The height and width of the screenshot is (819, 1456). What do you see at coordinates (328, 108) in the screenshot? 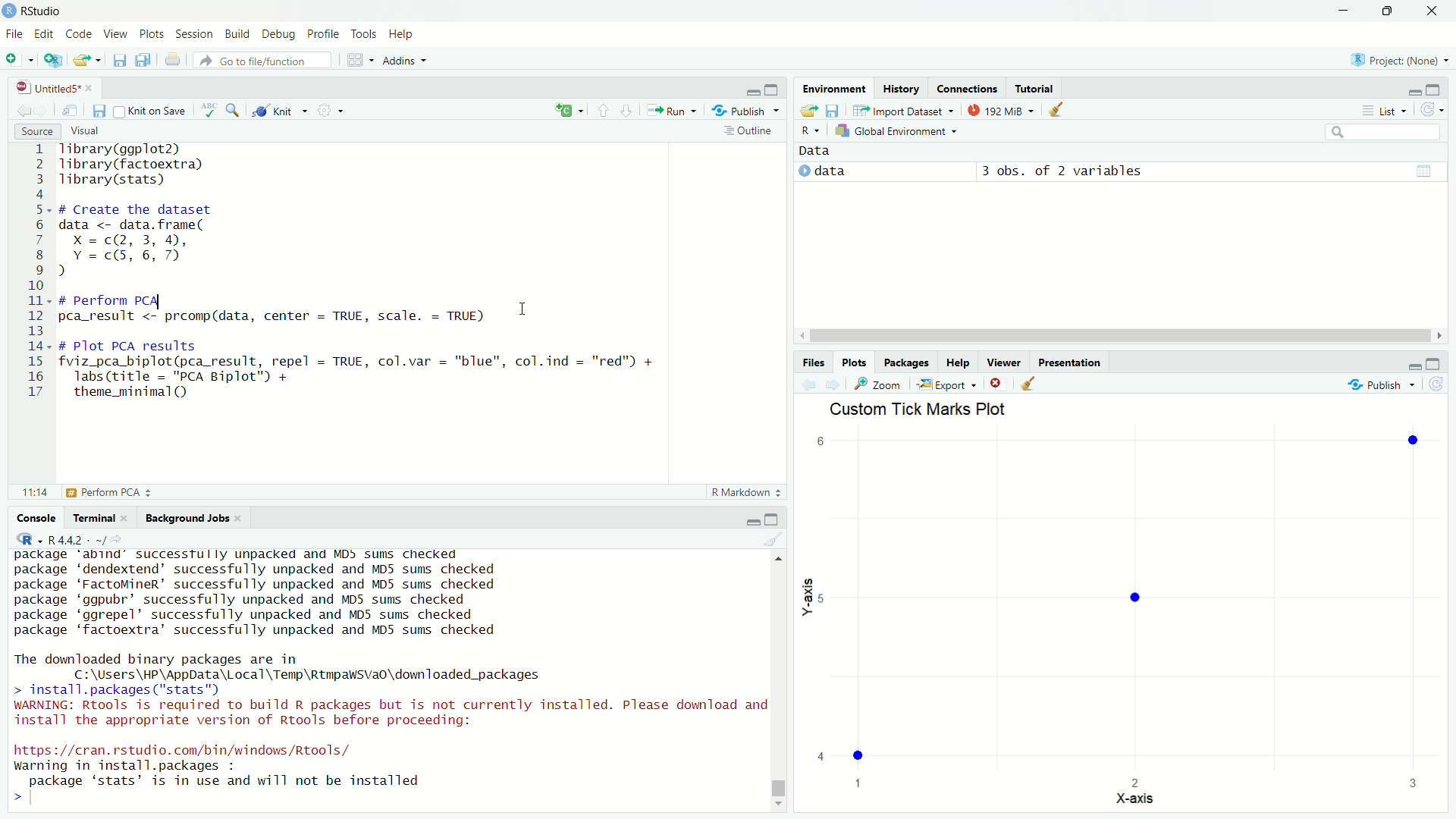
I see `settings` at bounding box center [328, 108].